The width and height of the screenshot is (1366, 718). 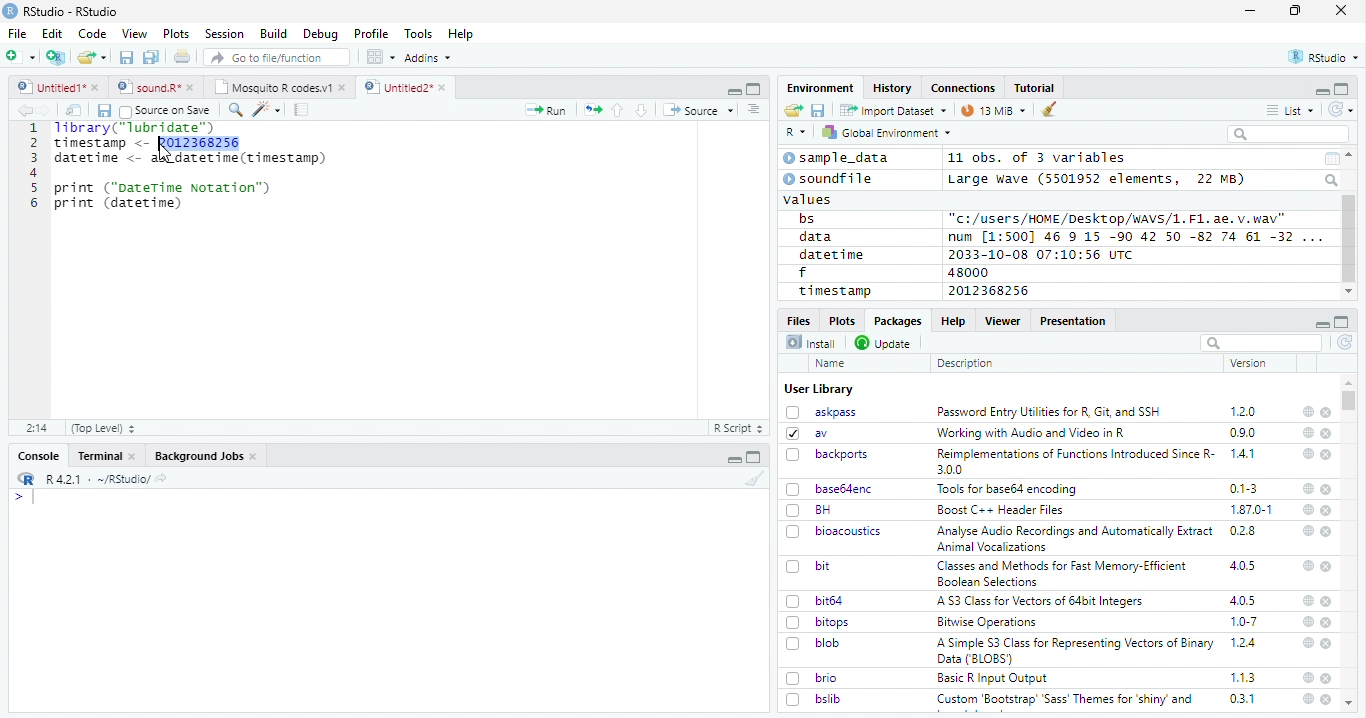 I want to click on Numbering line, so click(x=32, y=167).